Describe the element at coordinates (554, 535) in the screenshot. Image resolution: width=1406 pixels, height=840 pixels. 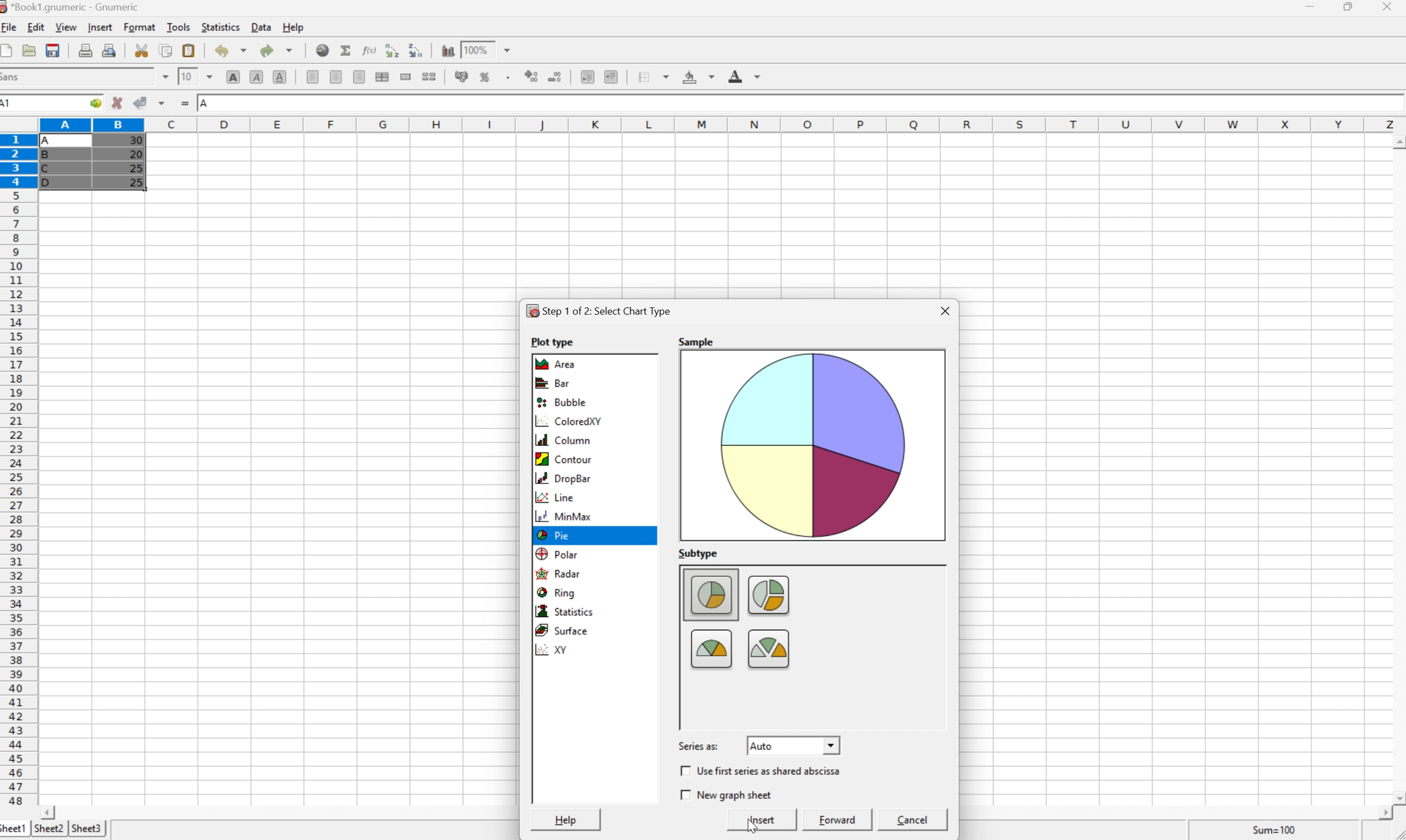
I see `Pie` at that location.